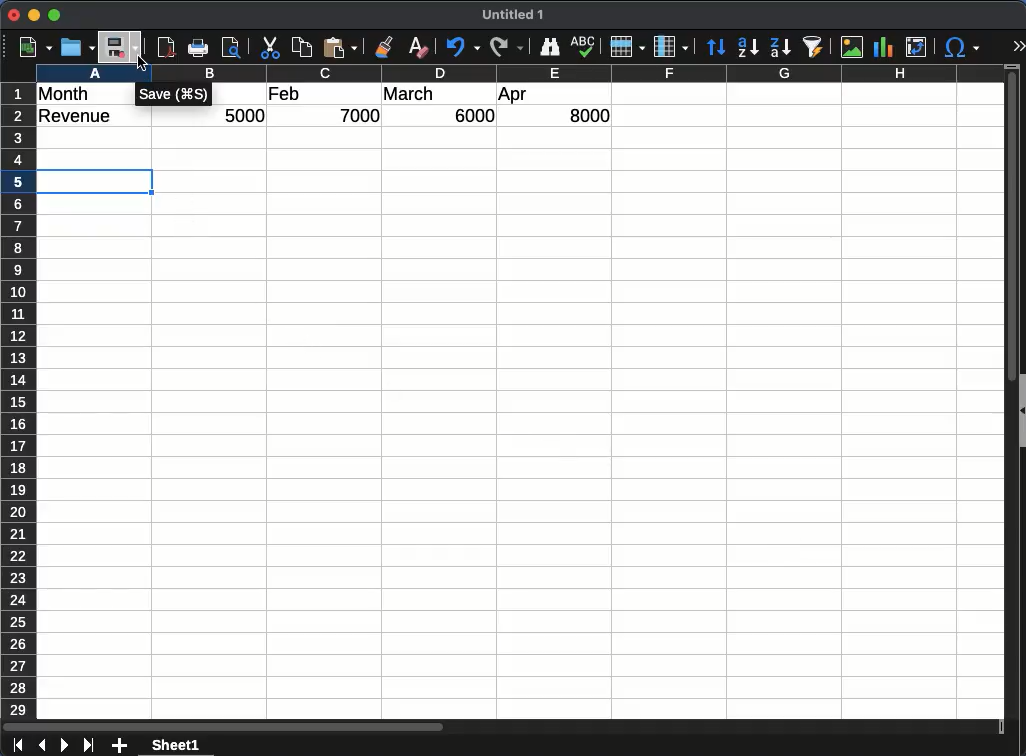  What do you see at coordinates (284, 94) in the screenshot?
I see `feb` at bounding box center [284, 94].